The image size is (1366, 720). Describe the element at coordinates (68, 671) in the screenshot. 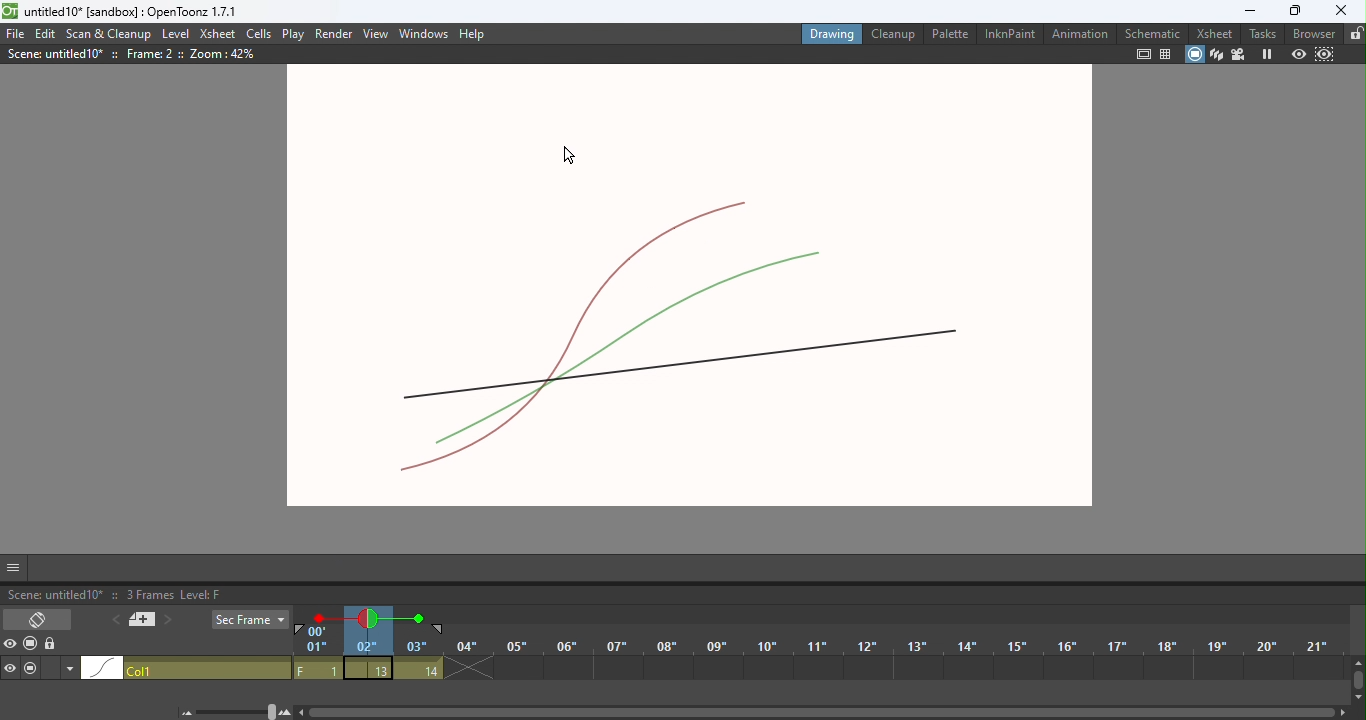

I see `Additional column settings` at that location.